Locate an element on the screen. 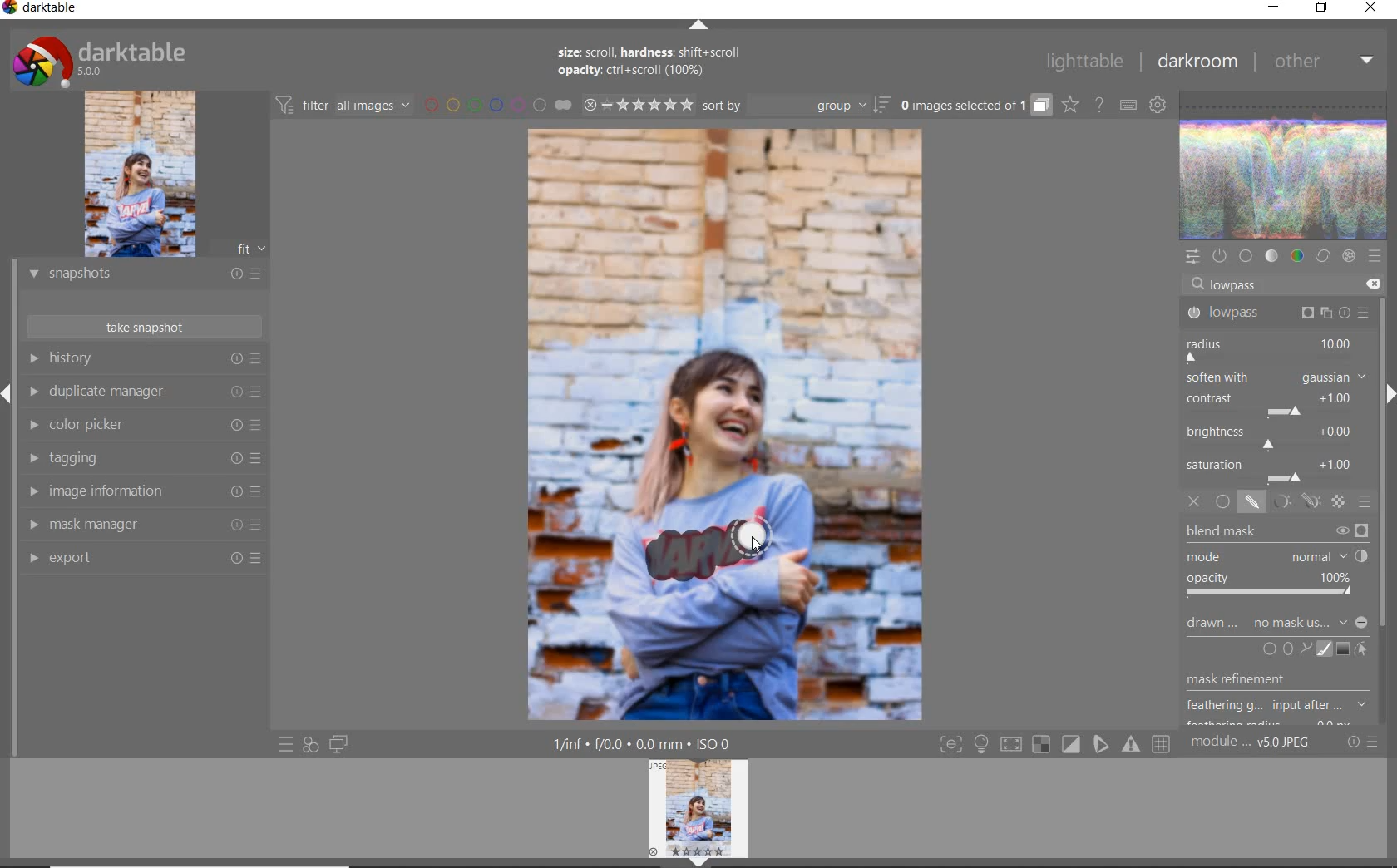 Image resolution: width=1397 pixels, height=868 pixels. saturation is located at coordinates (1275, 470).